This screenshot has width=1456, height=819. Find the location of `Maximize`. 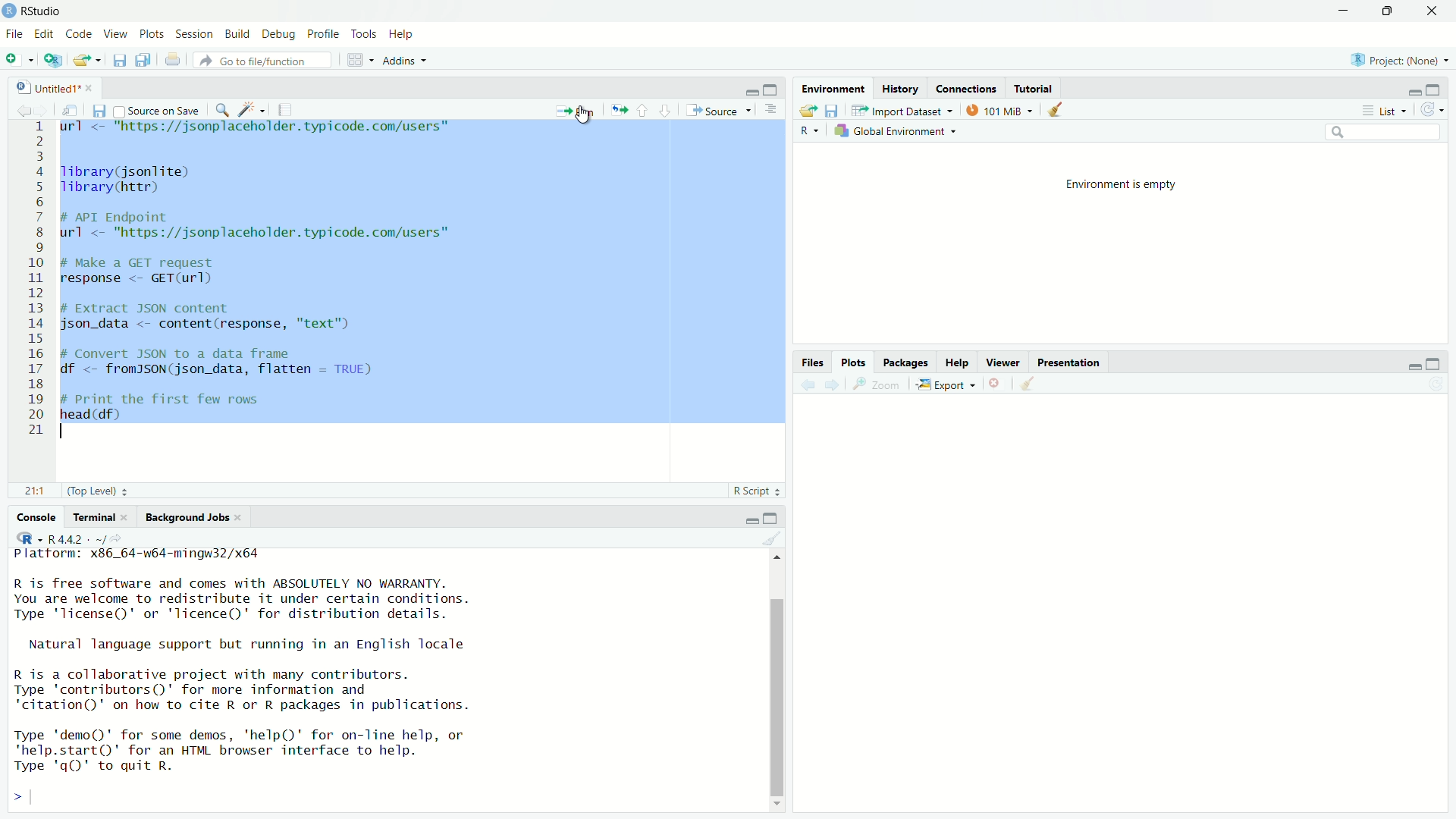

Maximize is located at coordinates (1434, 365).